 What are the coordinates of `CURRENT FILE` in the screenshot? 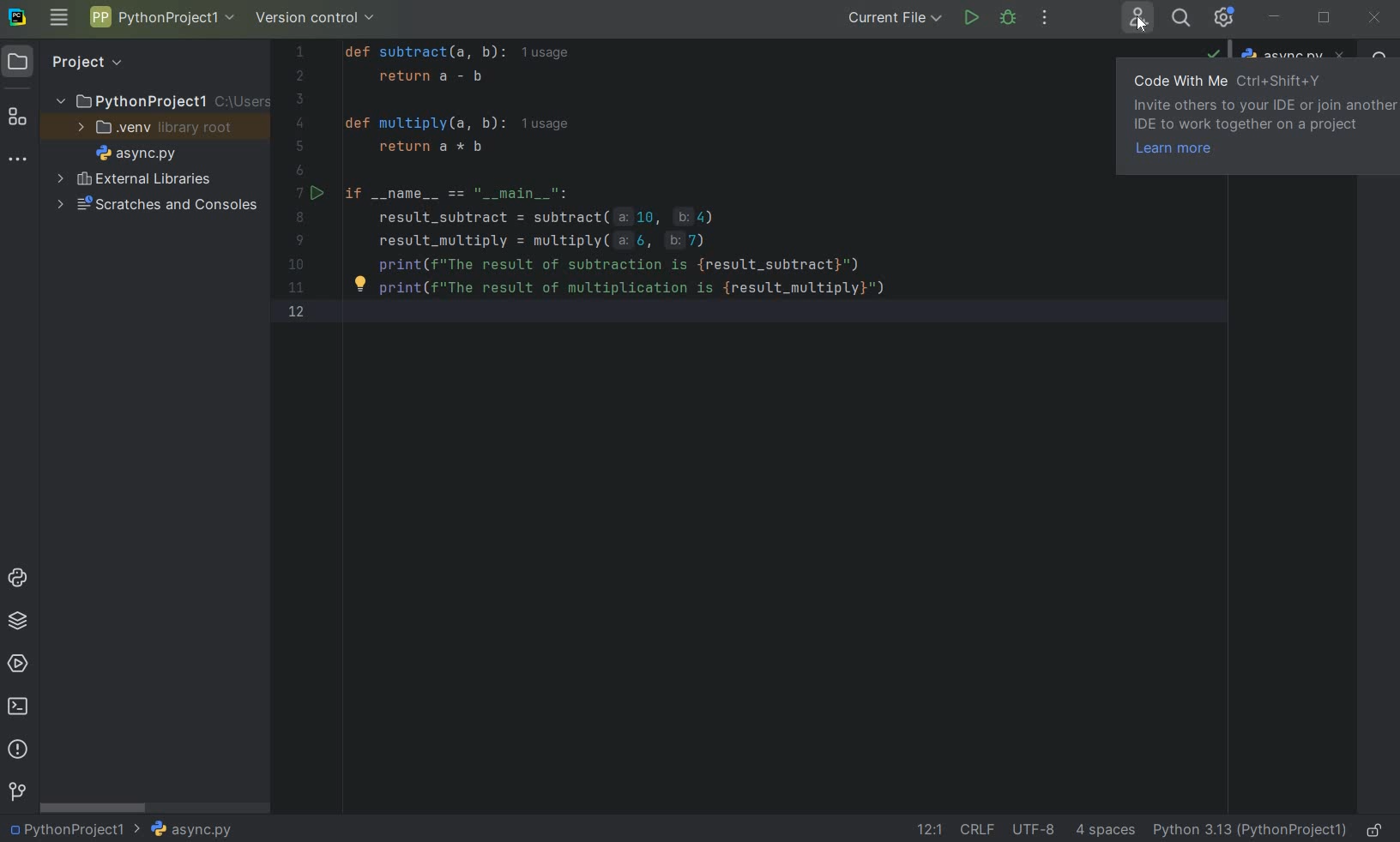 It's located at (895, 17).